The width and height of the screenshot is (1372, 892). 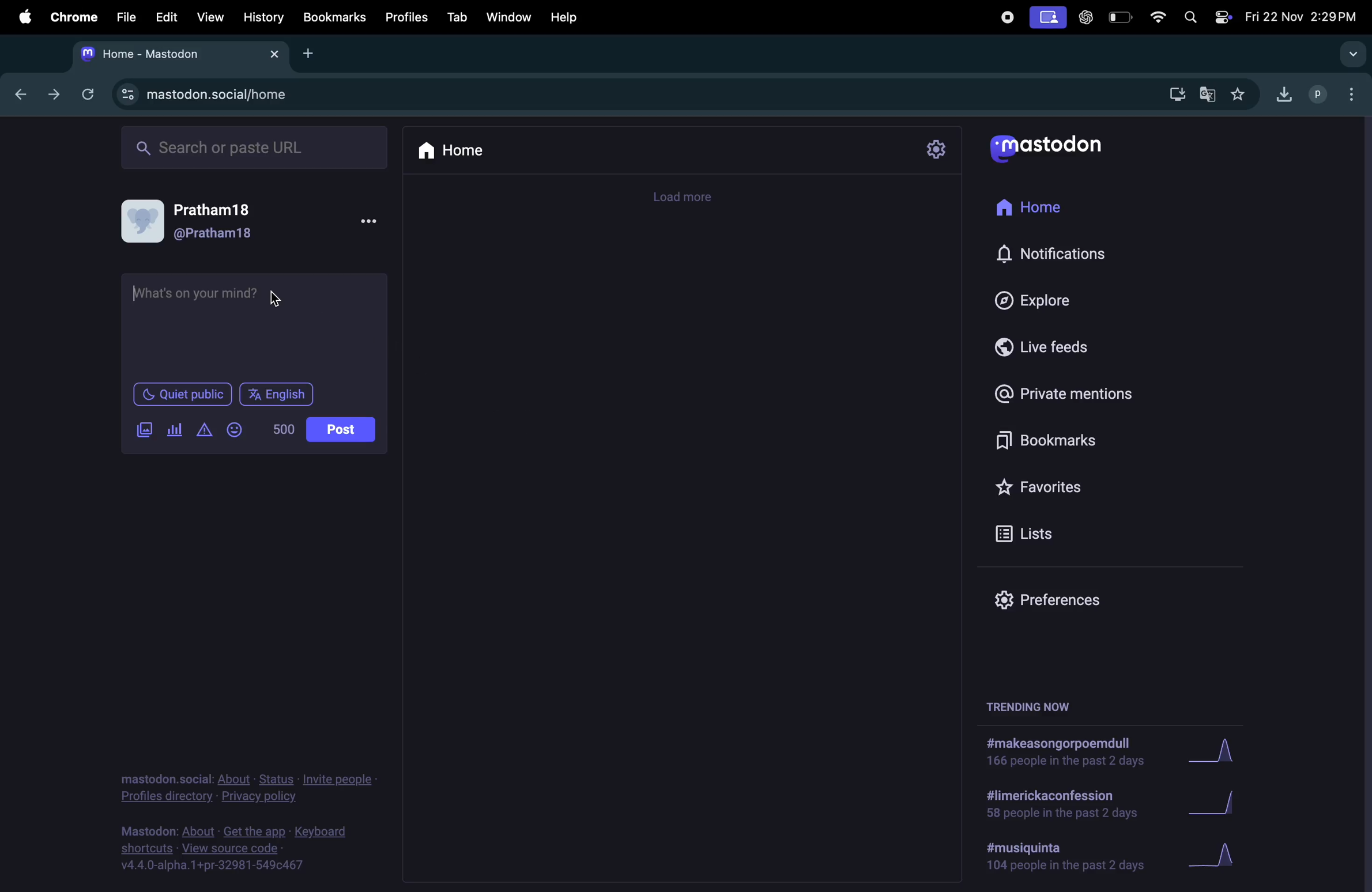 I want to click on record, so click(x=1006, y=17).